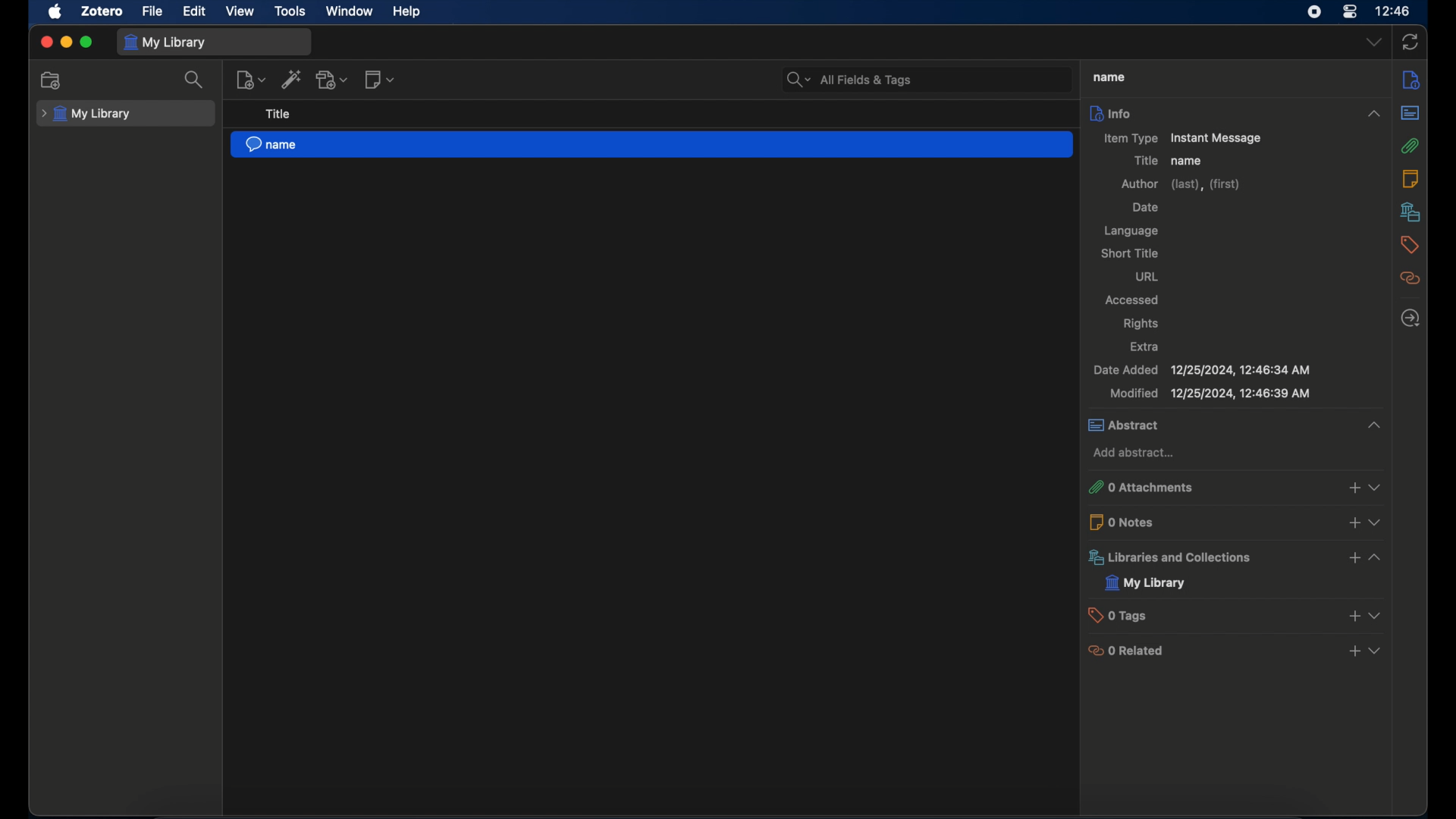 This screenshot has height=819, width=1456. I want to click on view, so click(240, 12).